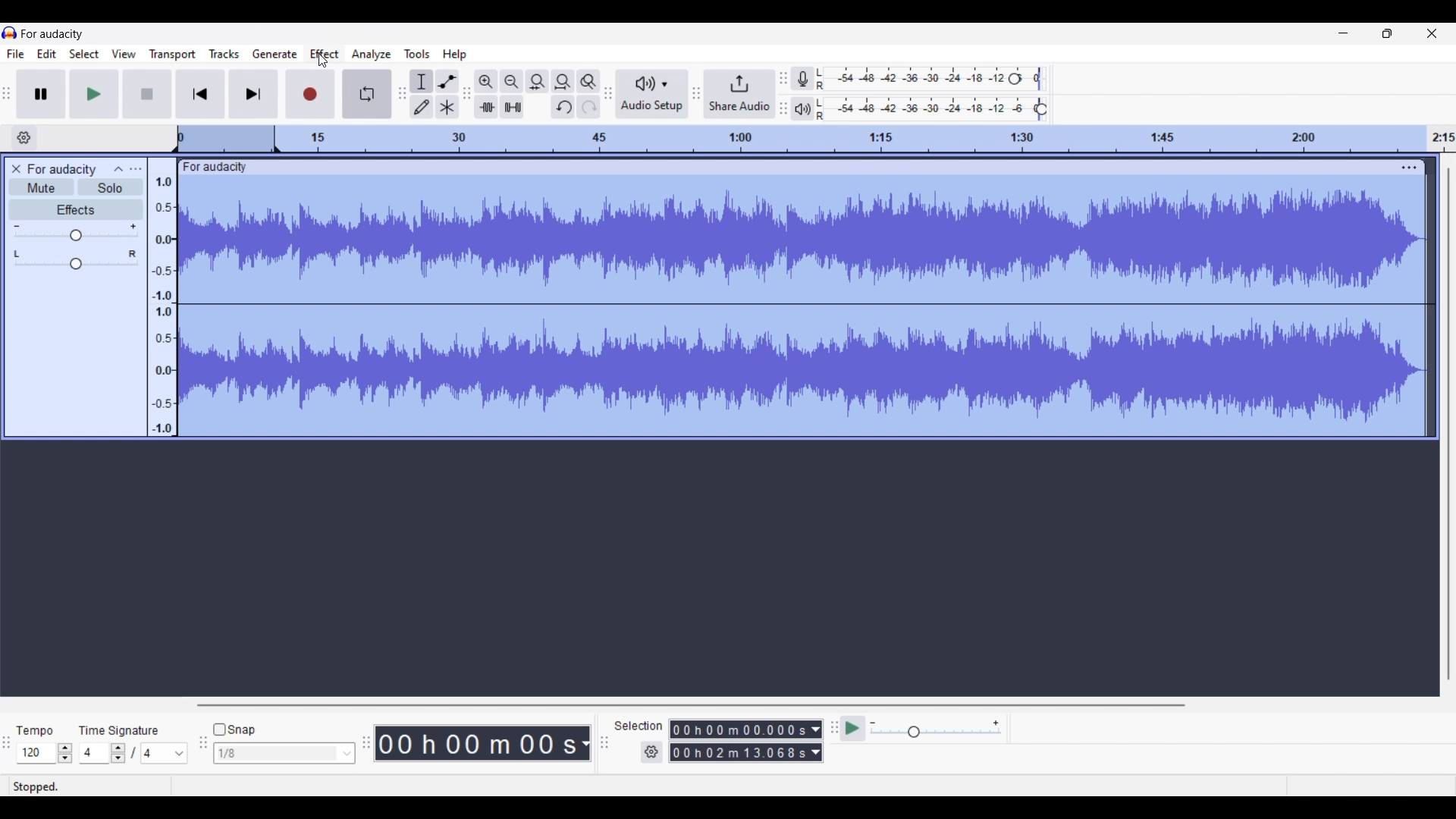 This screenshot has width=1456, height=819. What do you see at coordinates (1342, 33) in the screenshot?
I see `Minimize` at bounding box center [1342, 33].